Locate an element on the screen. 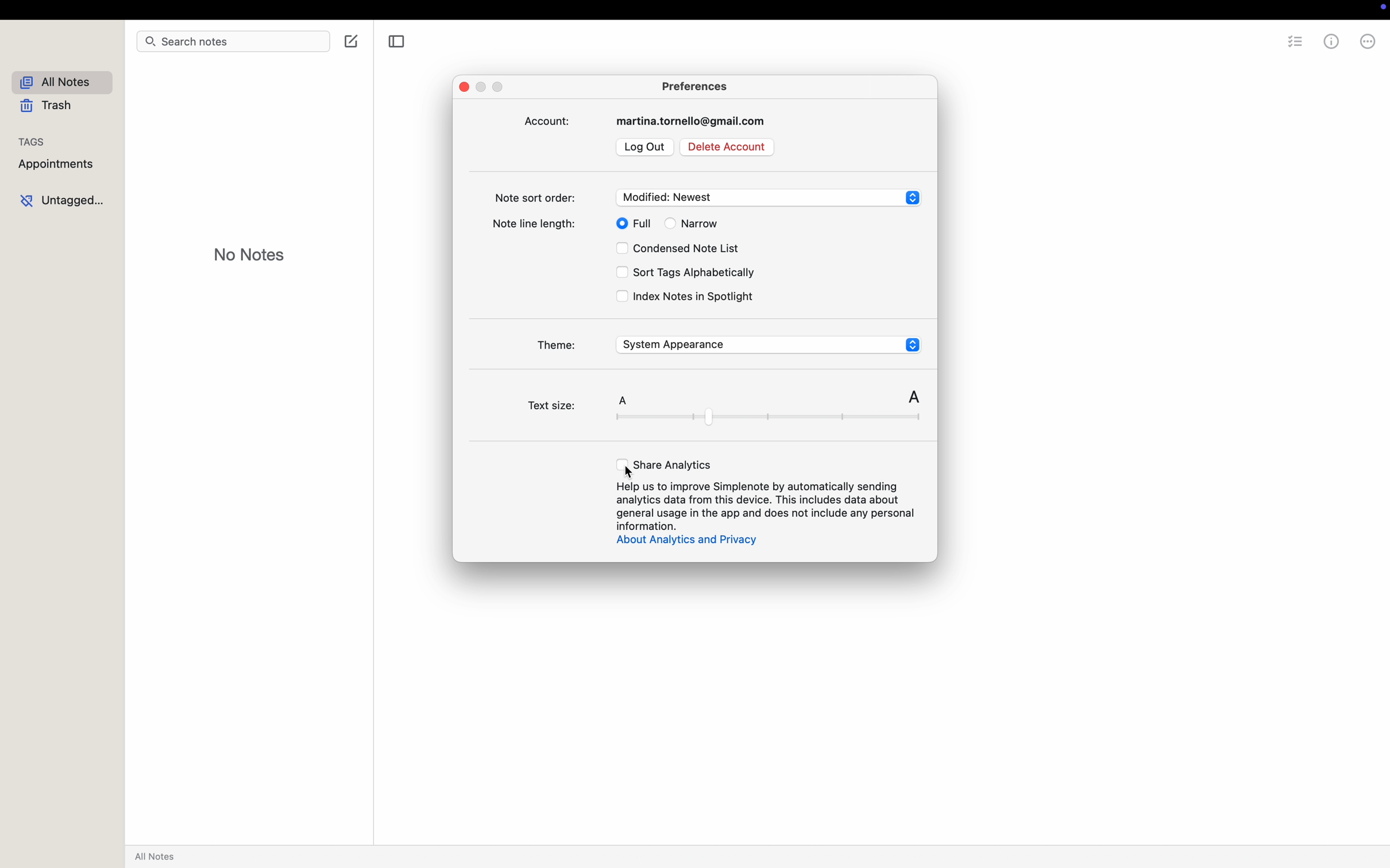 The width and height of the screenshot is (1390, 868). no notes is located at coordinates (248, 255).